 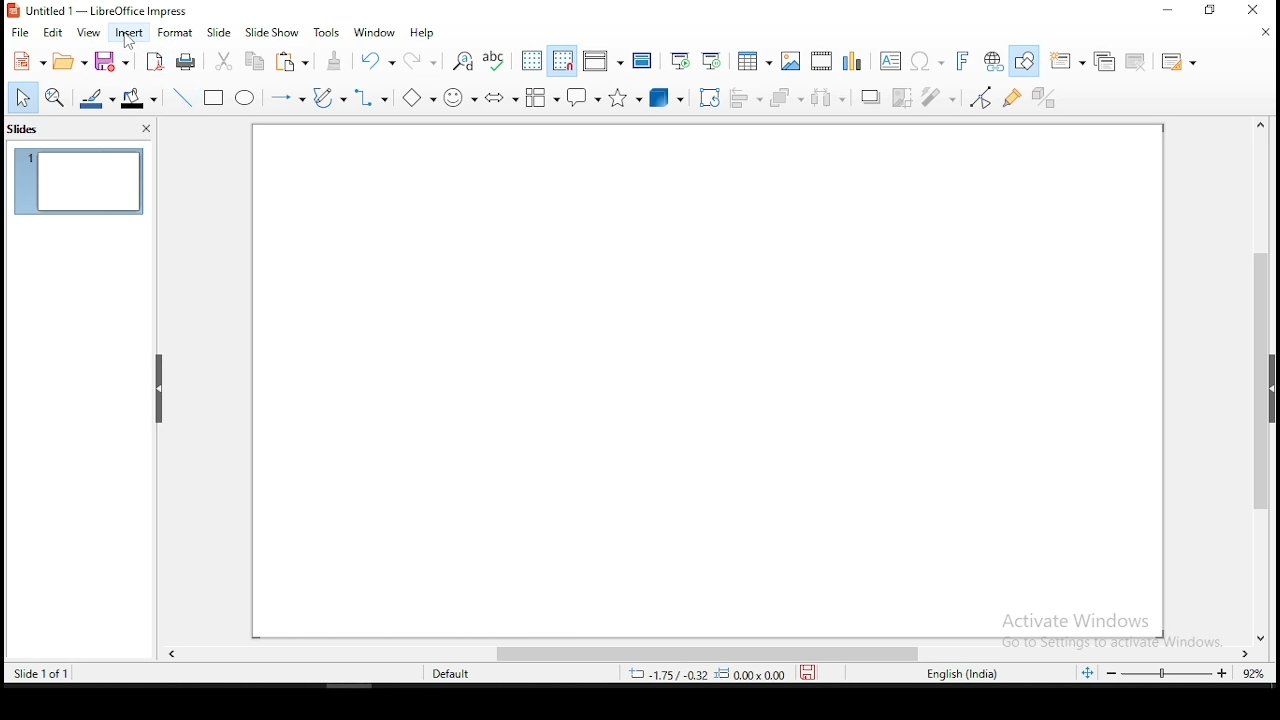 I want to click on insert hyperlink, so click(x=995, y=62).